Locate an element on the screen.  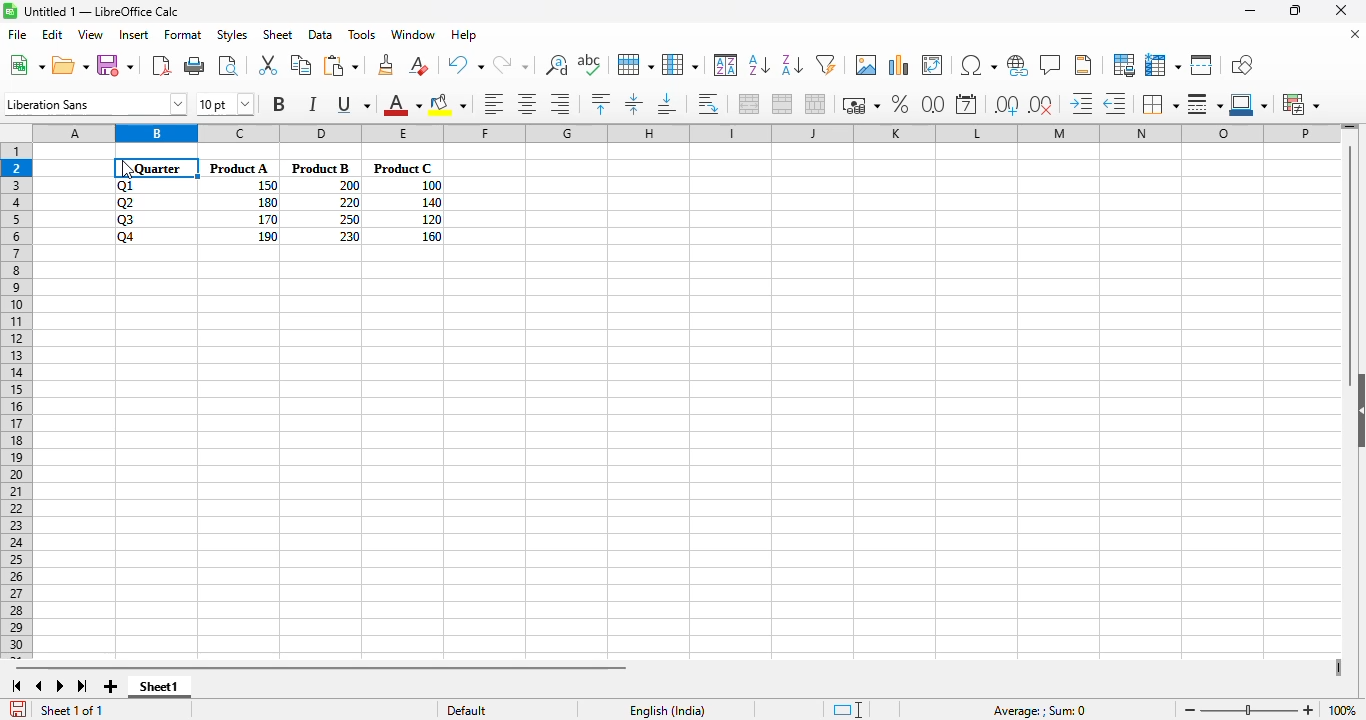
Zoom slider is located at coordinates (1249, 710).